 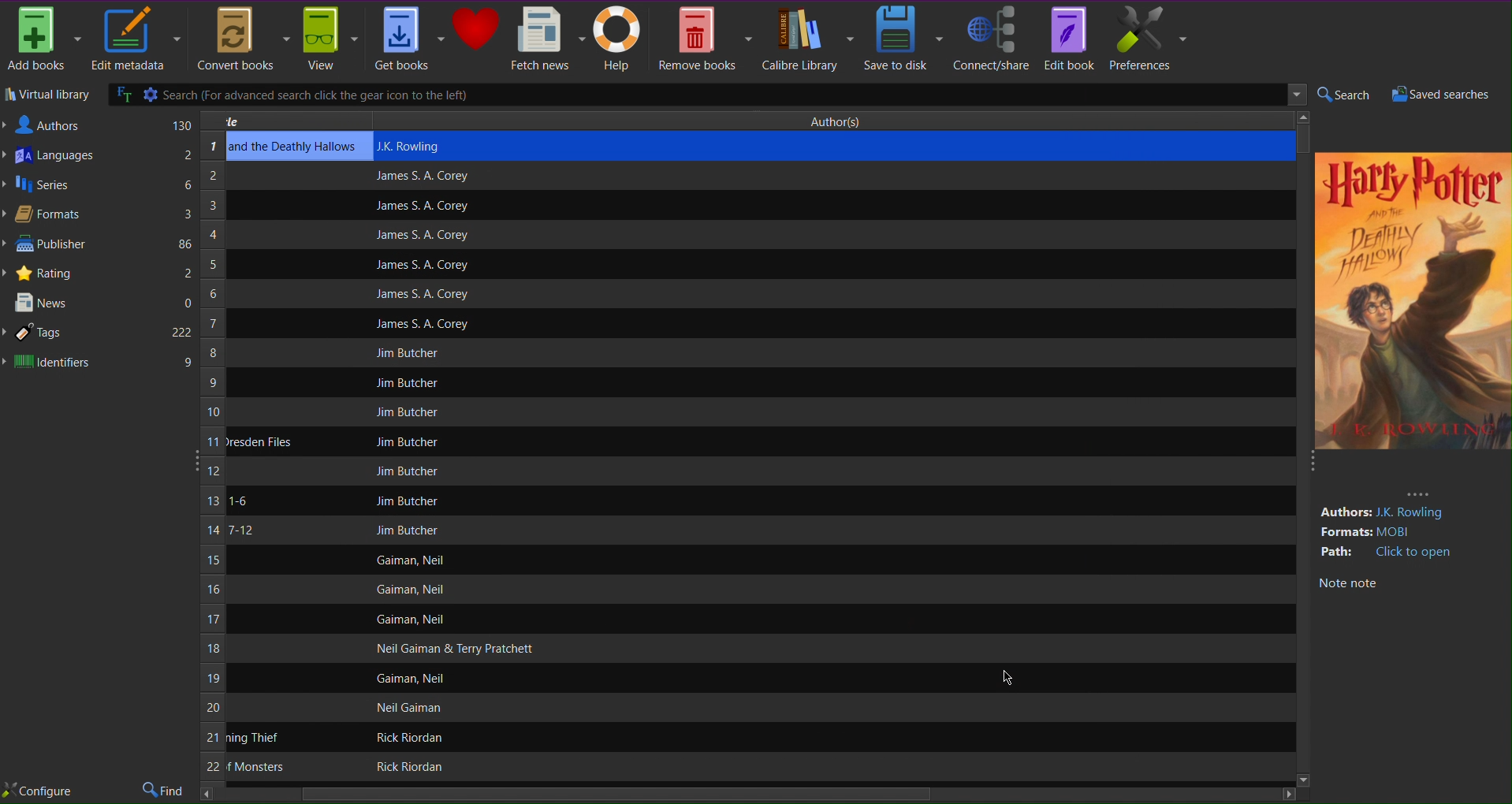 What do you see at coordinates (1293, 95) in the screenshot?
I see `Dropdown` at bounding box center [1293, 95].